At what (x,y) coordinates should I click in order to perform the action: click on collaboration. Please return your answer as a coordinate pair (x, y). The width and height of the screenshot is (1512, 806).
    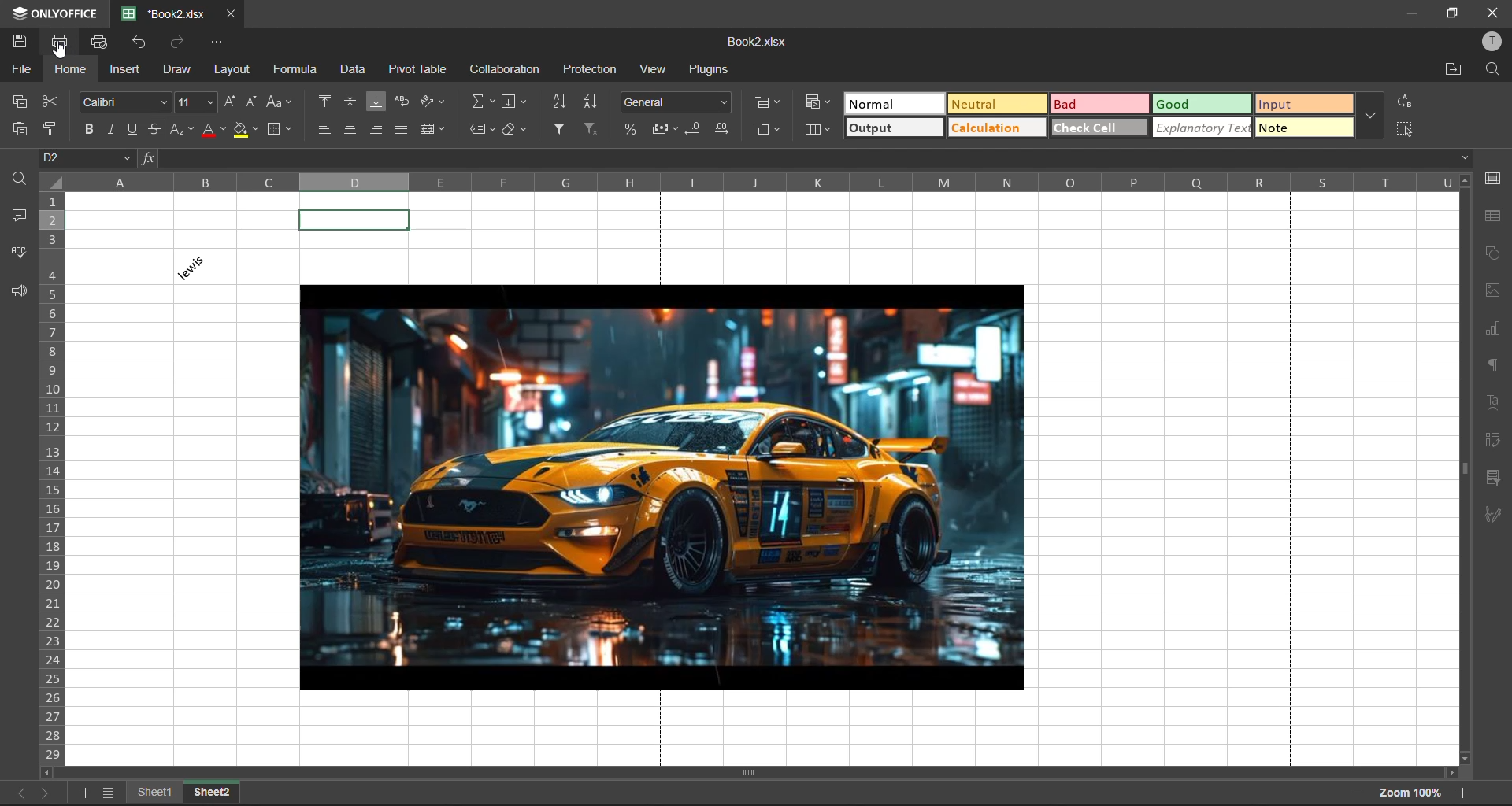
    Looking at the image, I should click on (505, 70).